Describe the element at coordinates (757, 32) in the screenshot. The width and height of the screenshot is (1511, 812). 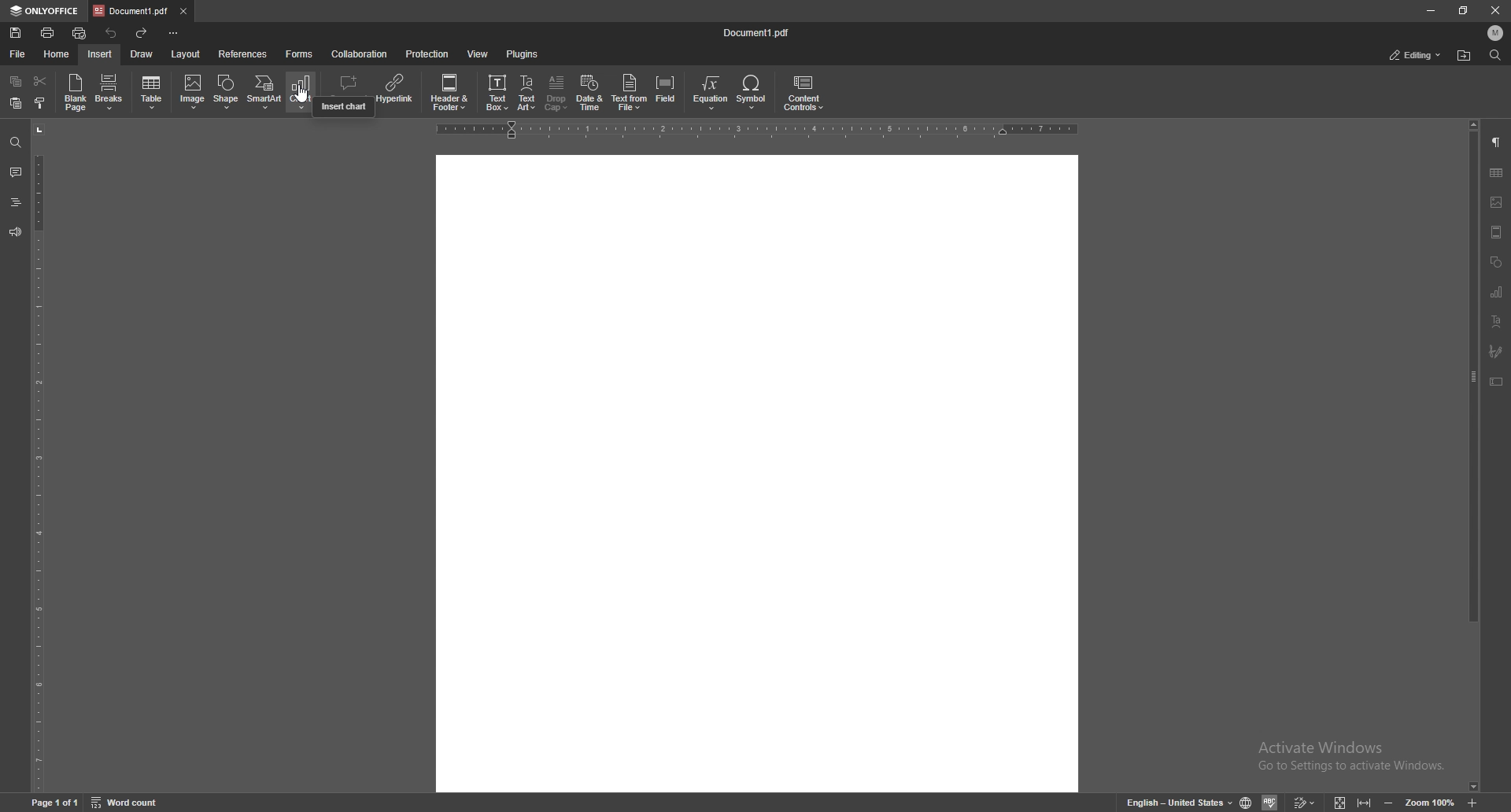
I see `file name` at that location.